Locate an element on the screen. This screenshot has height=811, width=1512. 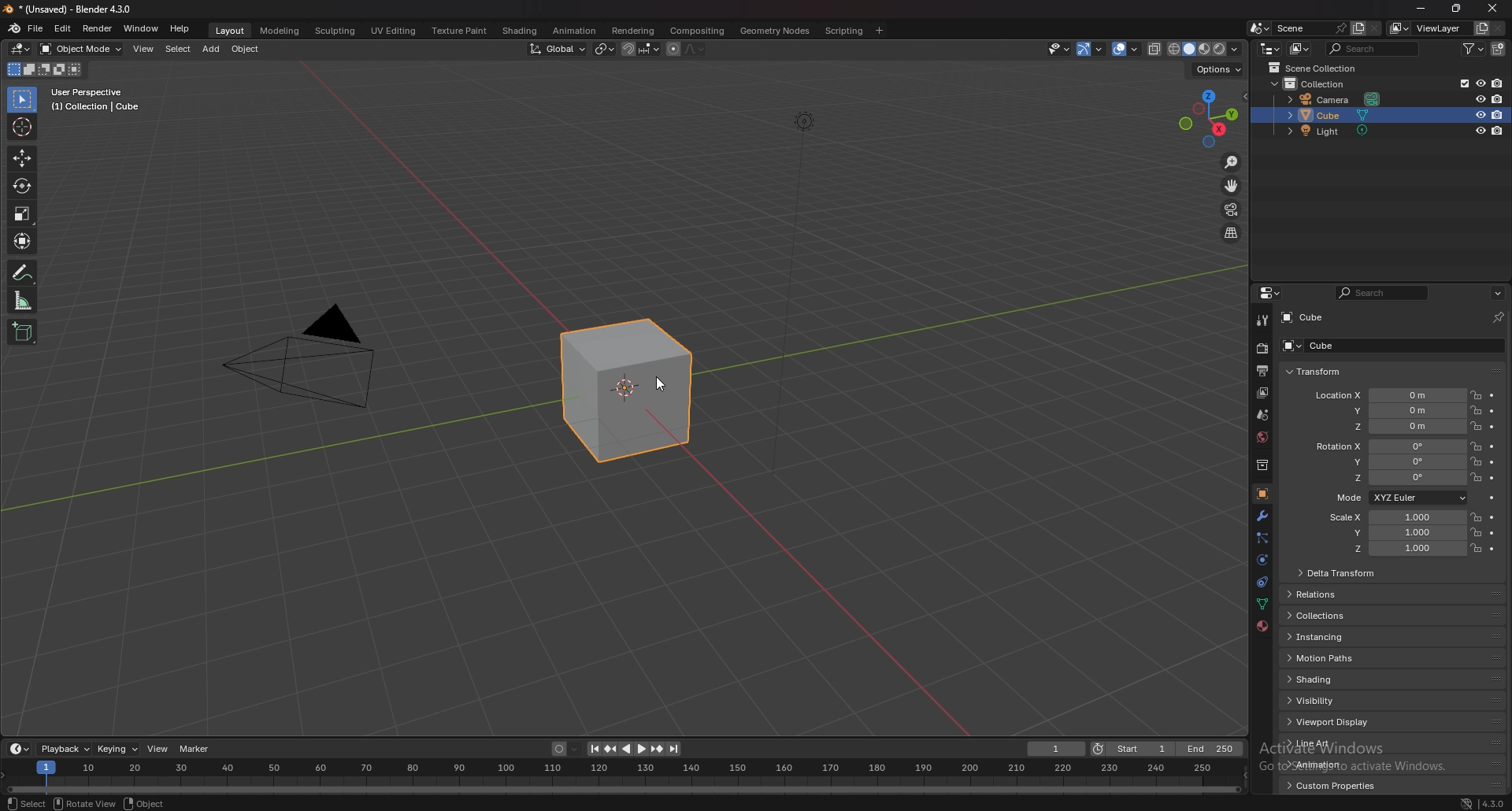
light is located at coordinates (1332, 130).